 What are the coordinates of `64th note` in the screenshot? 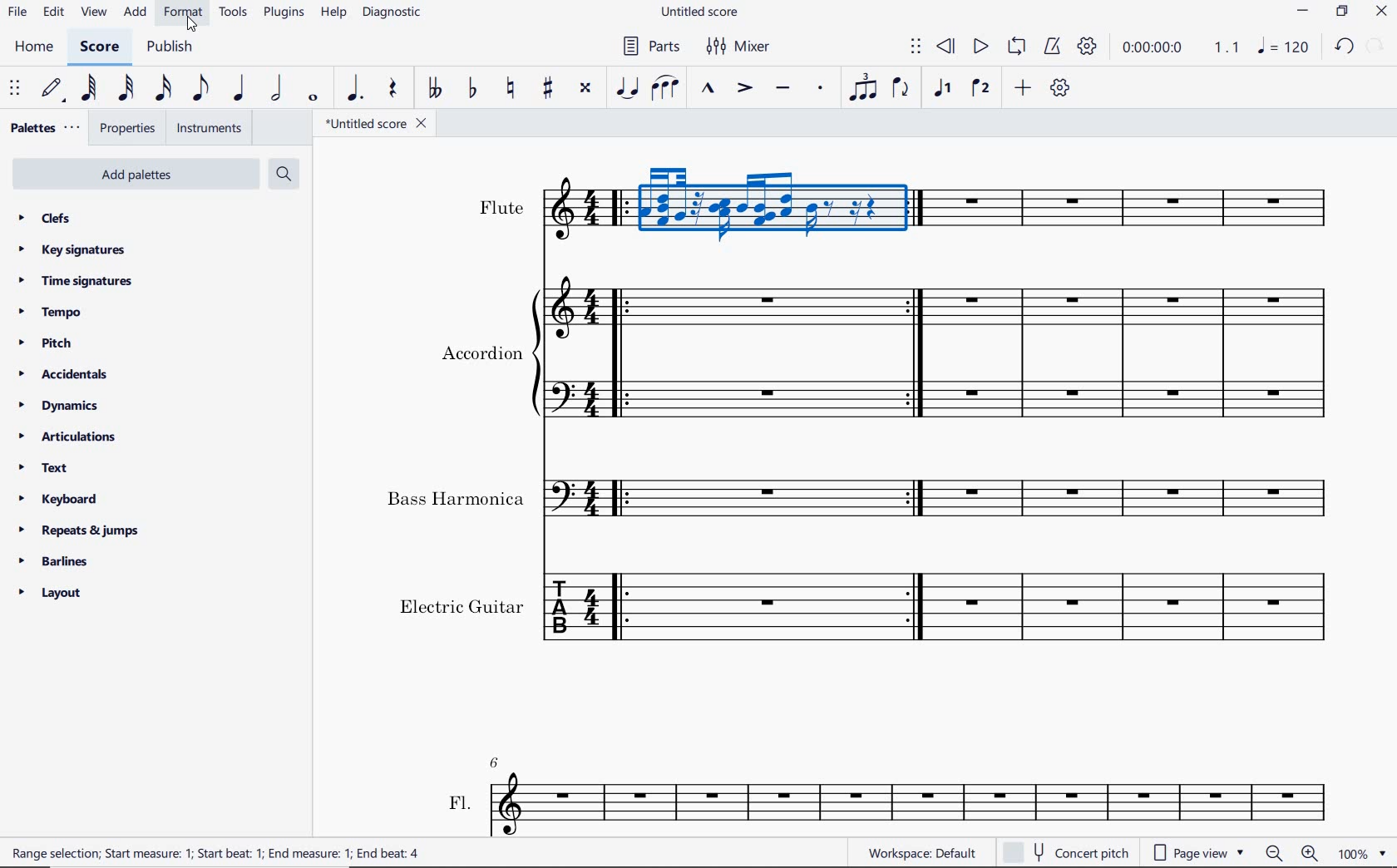 It's located at (91, 88).